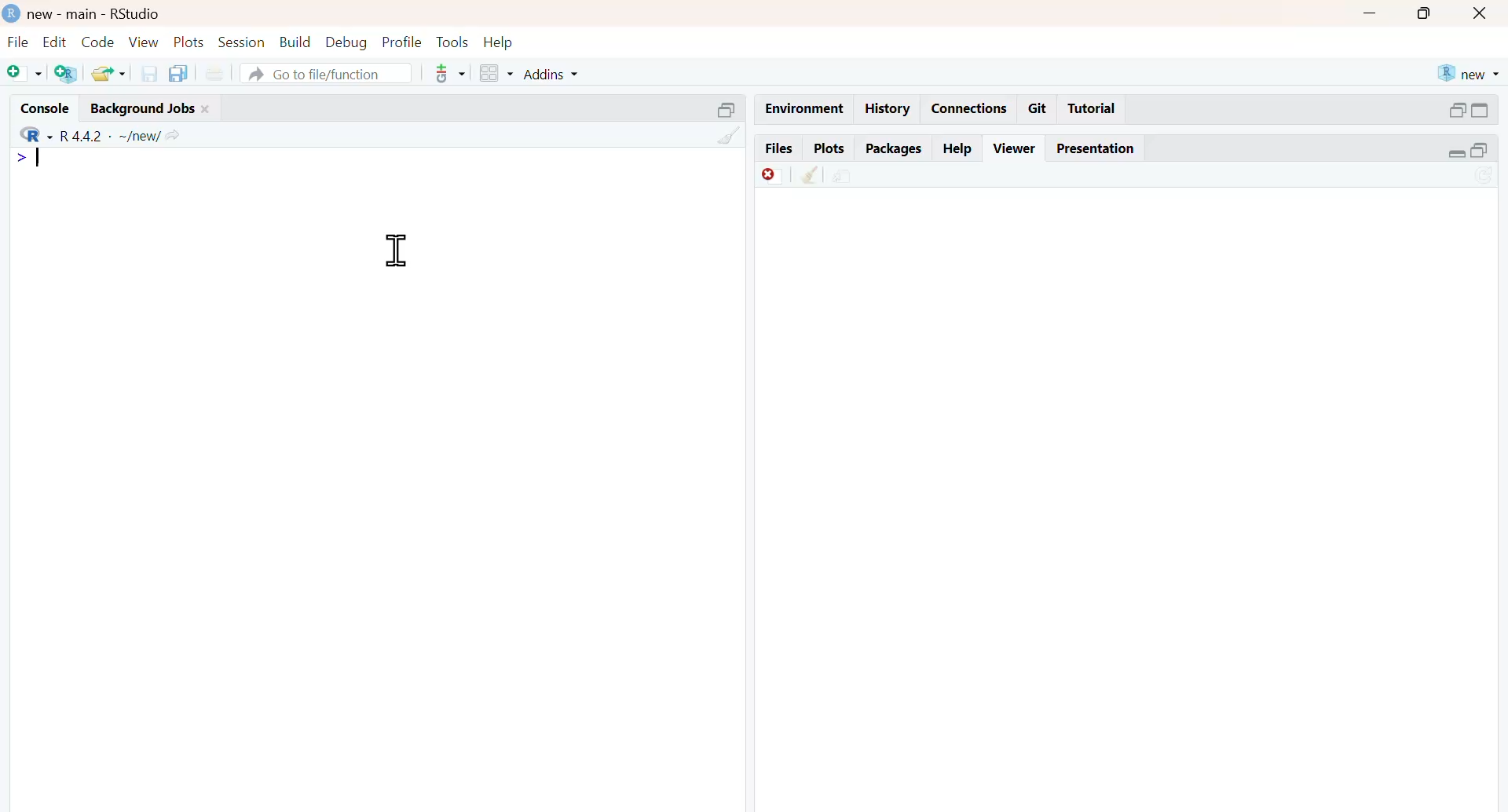  I want to click on share document , so click(842, 177).